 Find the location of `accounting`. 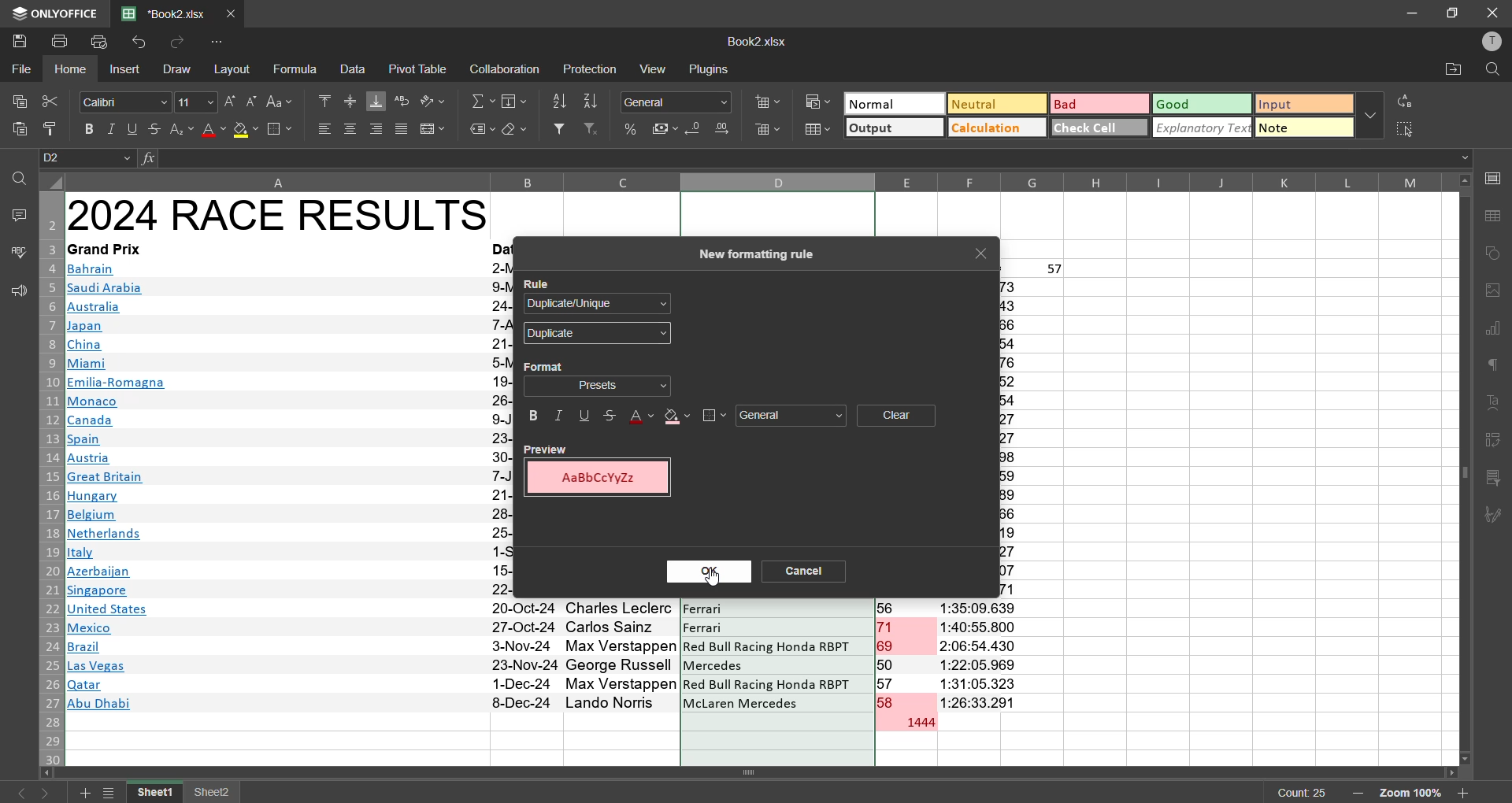

accounting is located at coordinates (665, 126).